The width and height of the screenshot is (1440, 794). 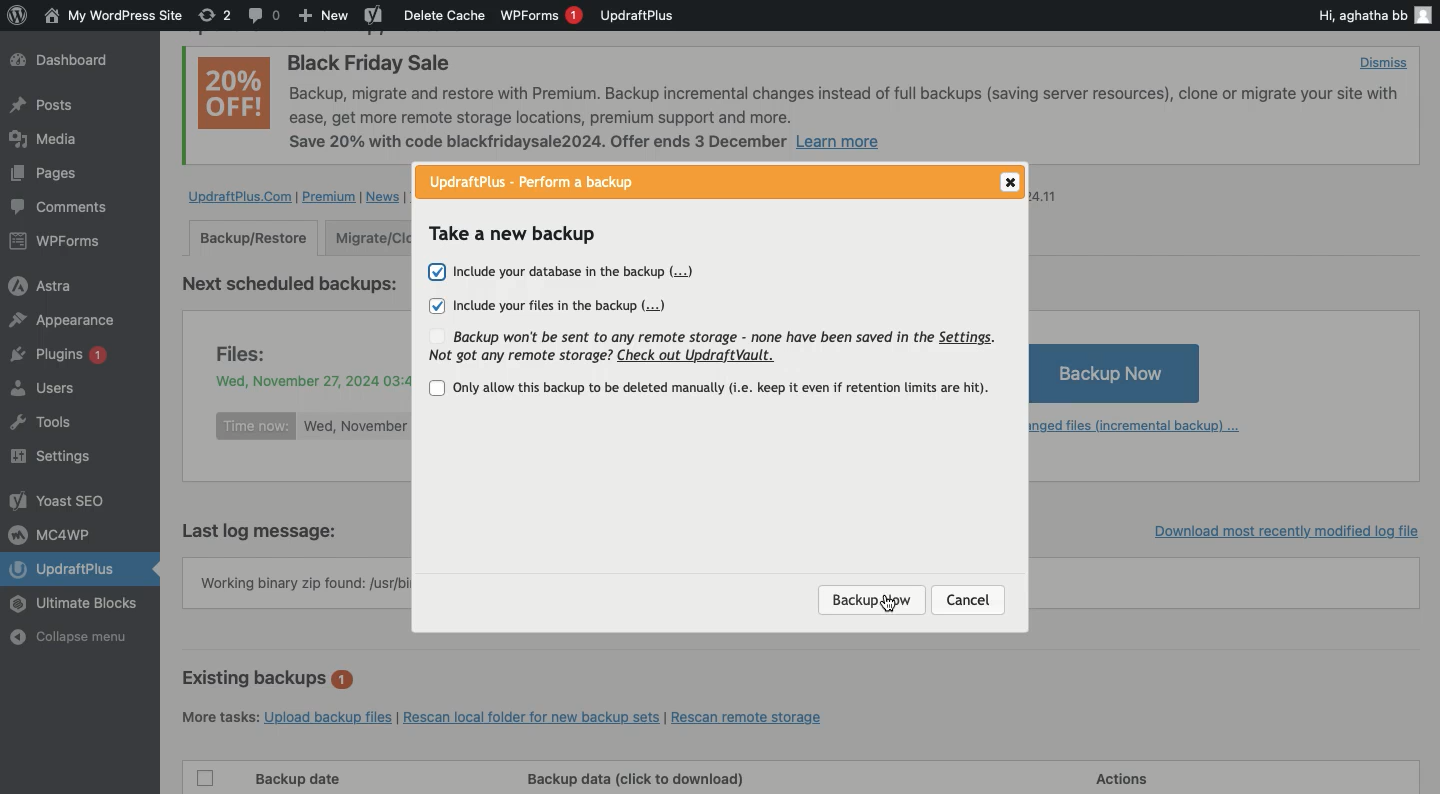 I want to click on Backup won't be sent to any remote storage - none have been saved in the Settings.
Not got any remote storage? Check out UpdraftVault., so click(x=716, y=346).